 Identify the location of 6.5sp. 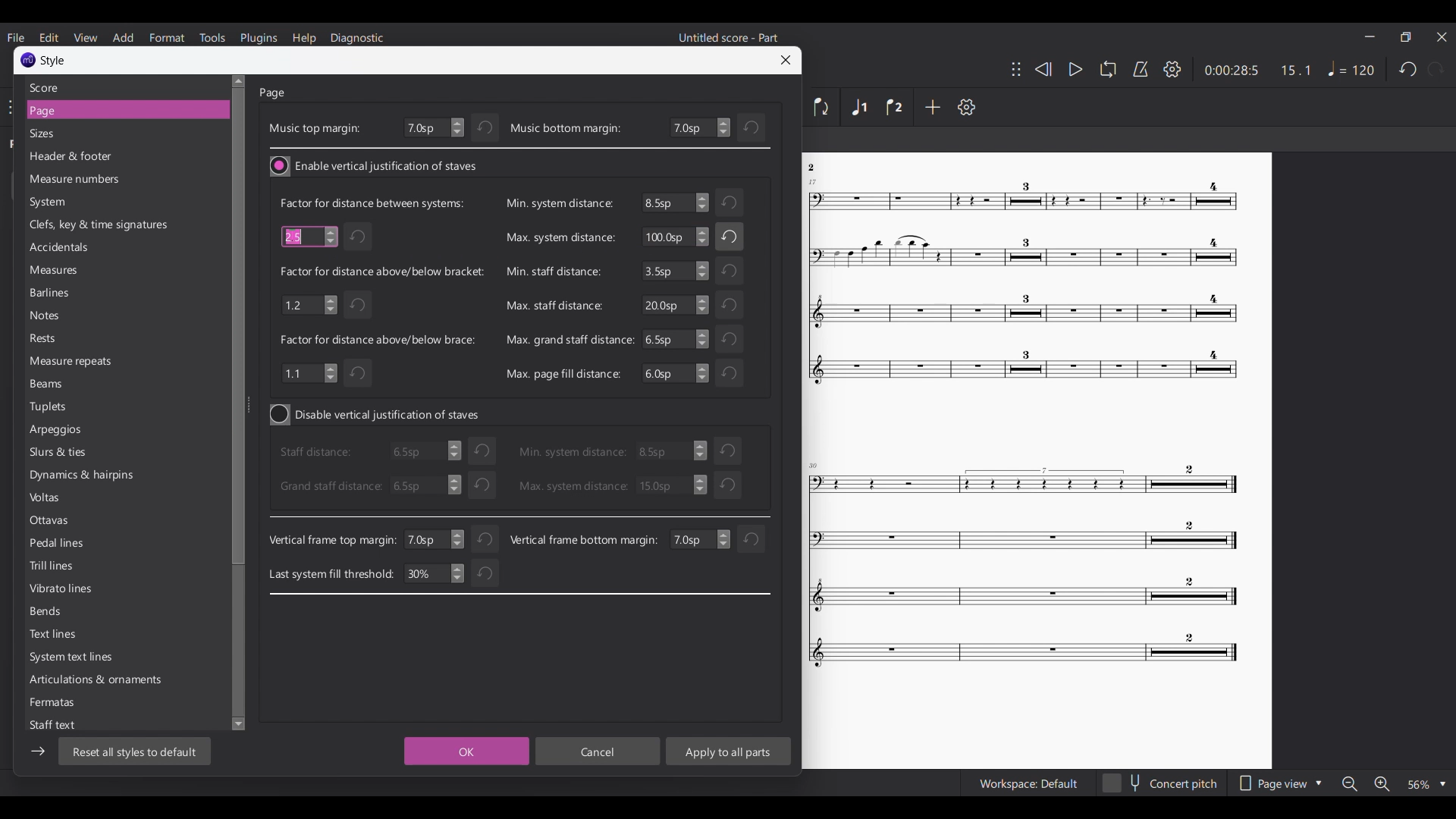
(676, 202).